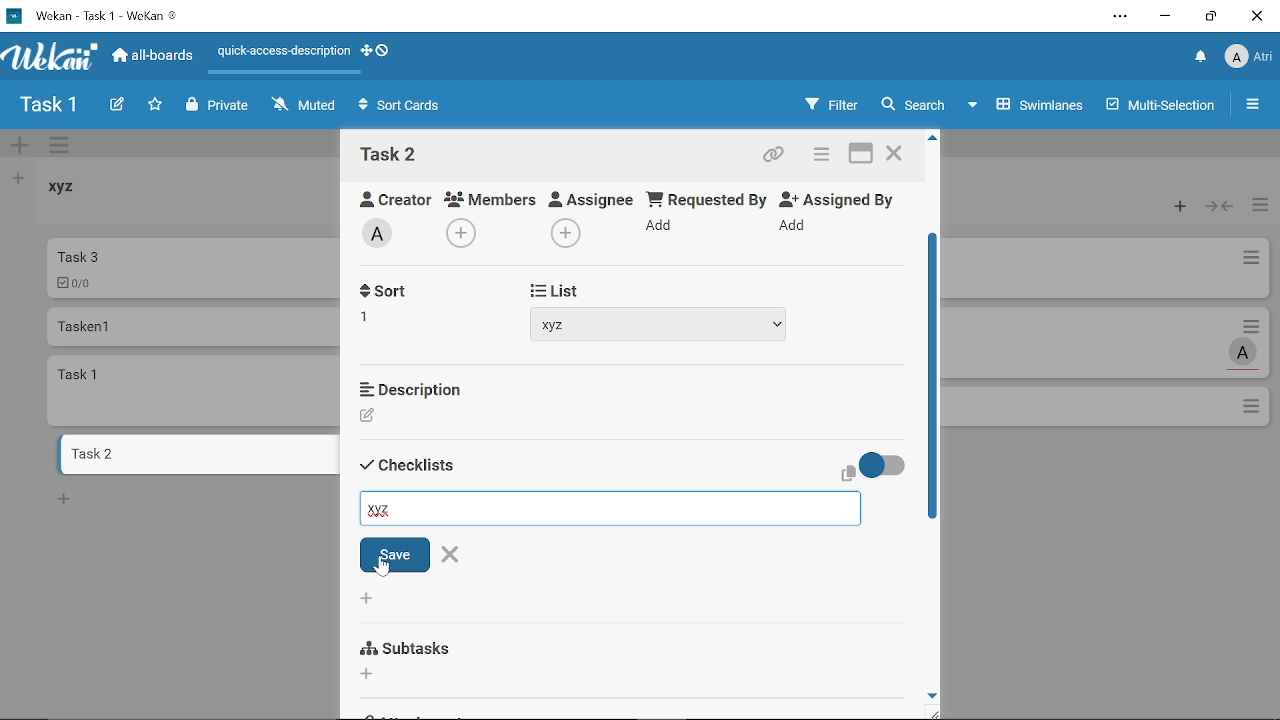 The image size is (1280, 720). What do you see at coordinates (1201, 58) in the screenshot?
I see `Notifications` at bounding box center [1201, 58].